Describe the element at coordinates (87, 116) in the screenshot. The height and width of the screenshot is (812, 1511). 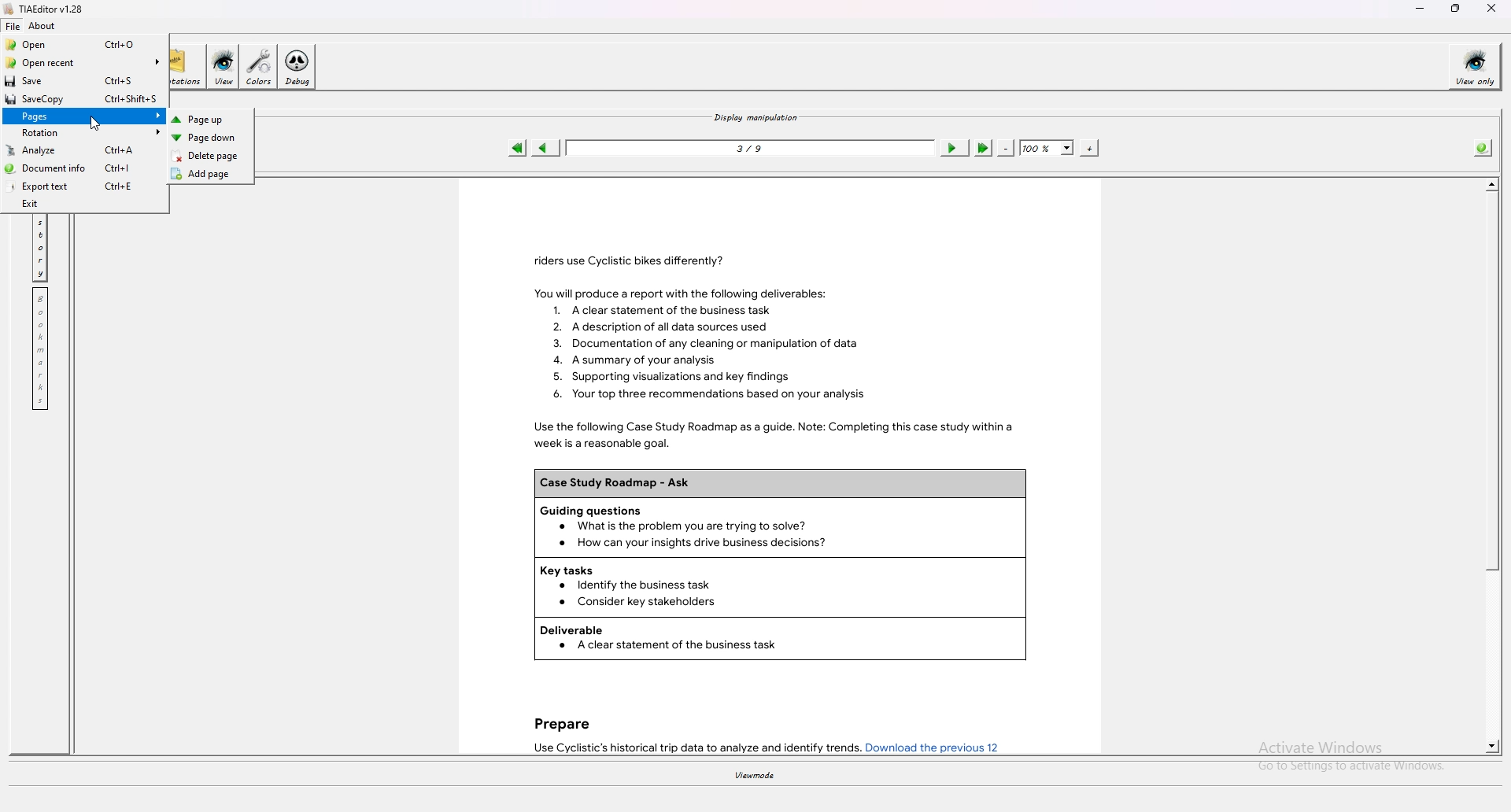
I see `Pages ` at that location.